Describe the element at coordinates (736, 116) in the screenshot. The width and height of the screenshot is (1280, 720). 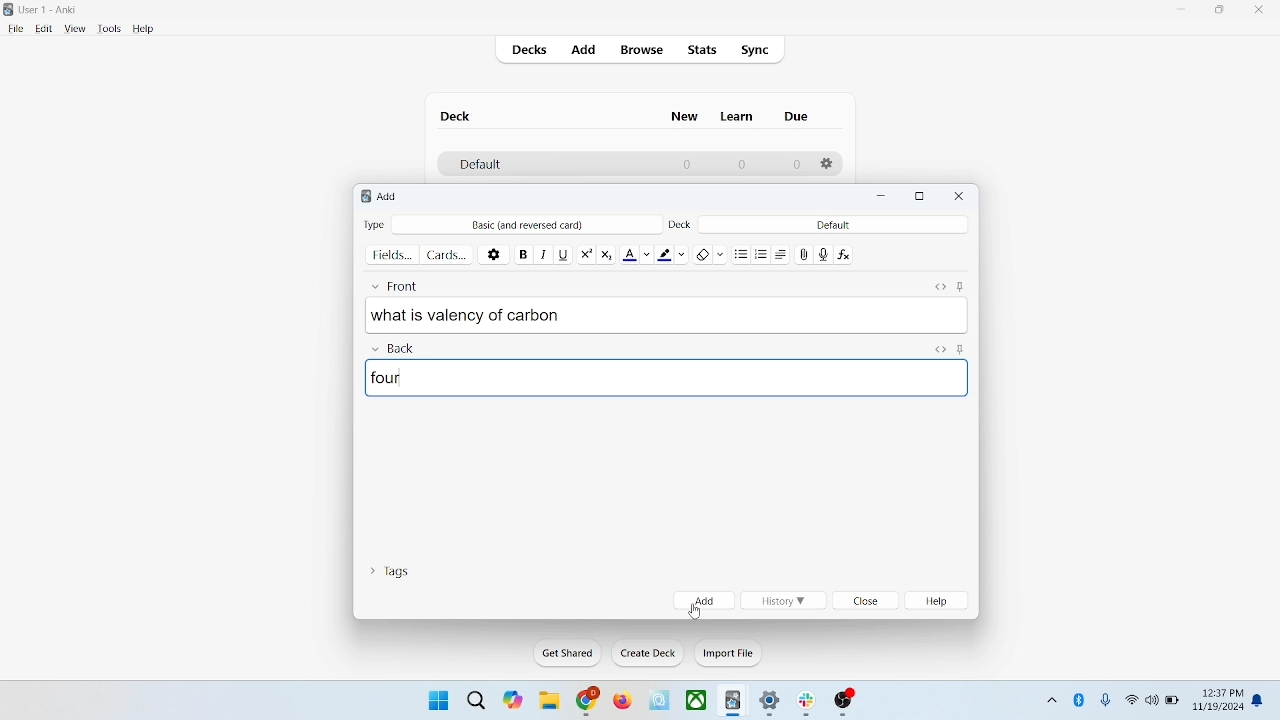
I see `learn` at that location.